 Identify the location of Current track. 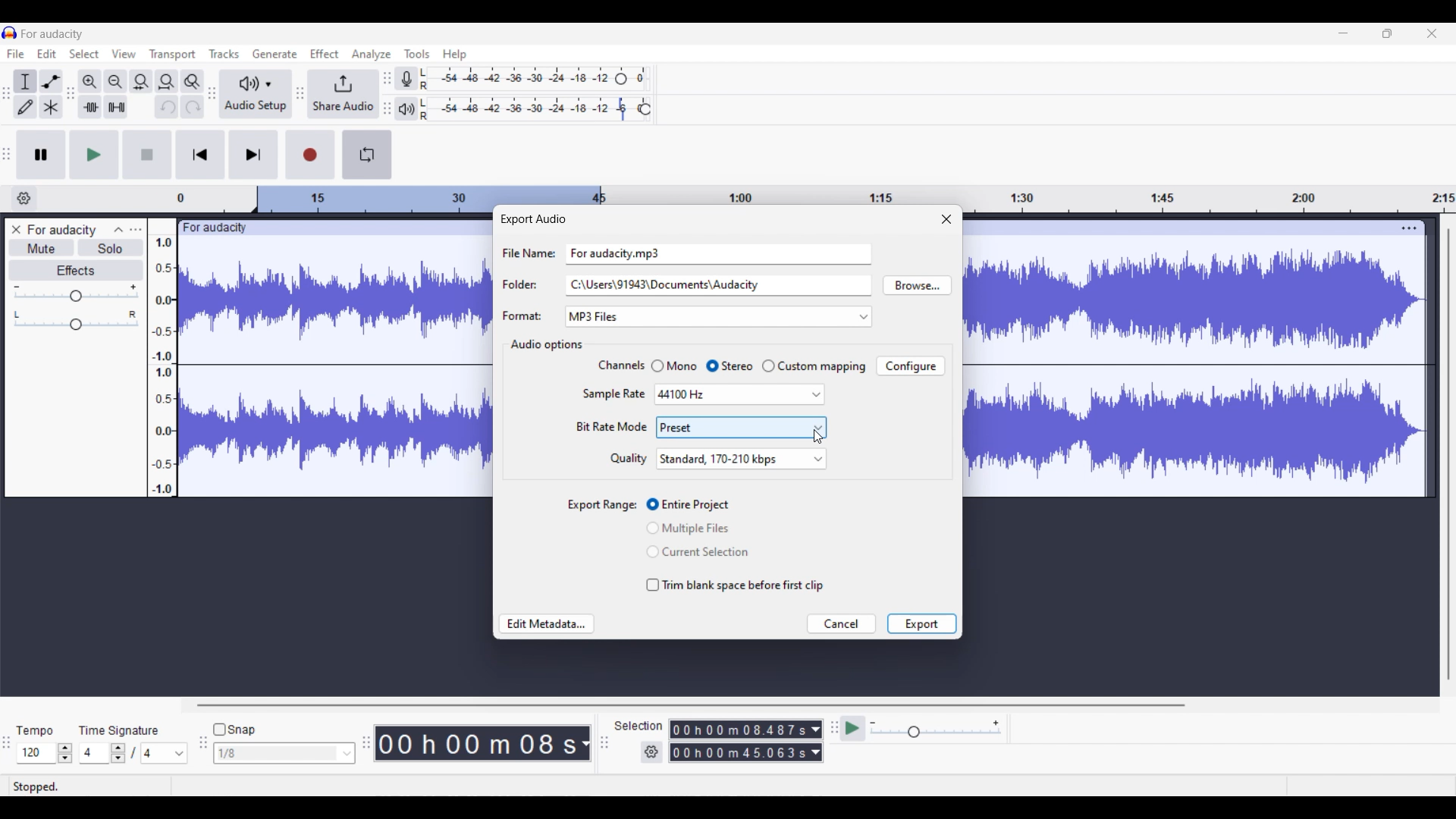
(1181, 359).